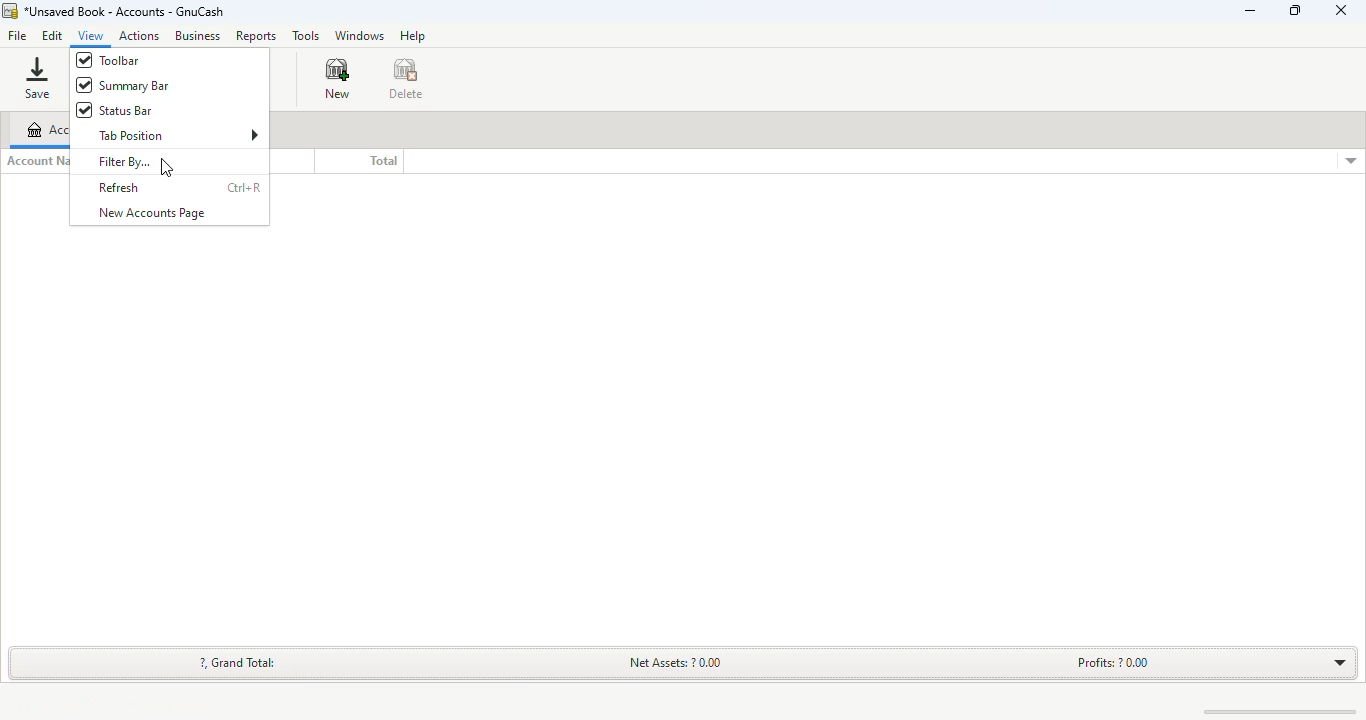  Describe the element at coordinates (412, 35) in the screenshot. I see `help` at that location.